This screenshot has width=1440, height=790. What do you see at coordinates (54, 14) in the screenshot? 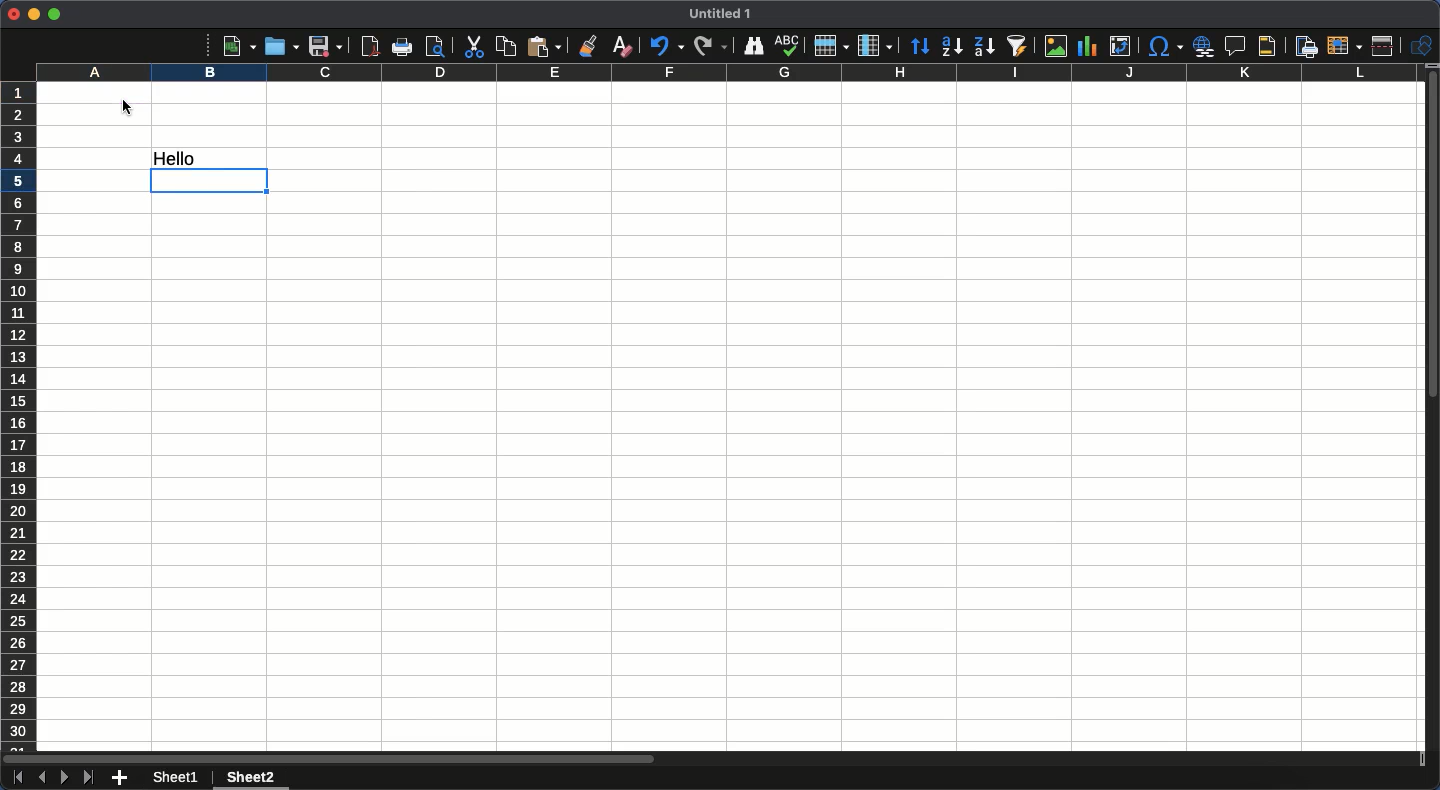
I see `Maximize` at bounding box center [54, 14].